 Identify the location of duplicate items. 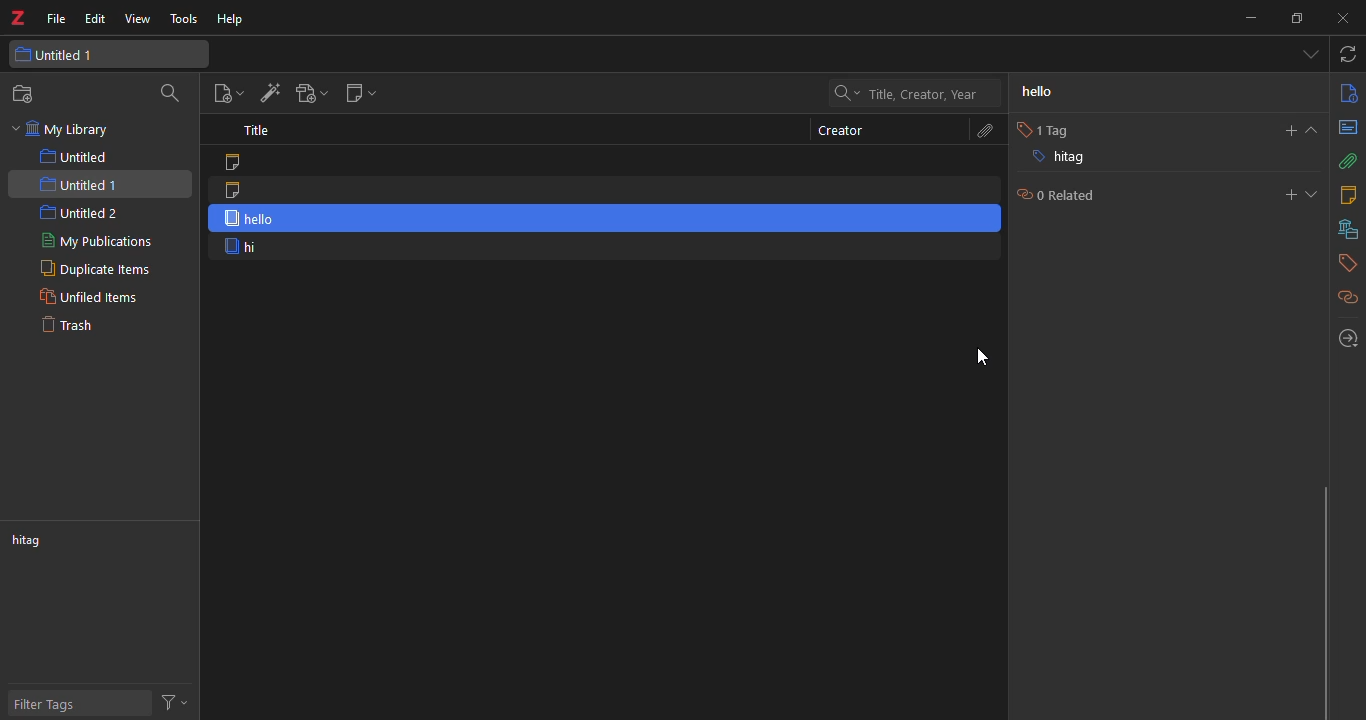
(91, 270).